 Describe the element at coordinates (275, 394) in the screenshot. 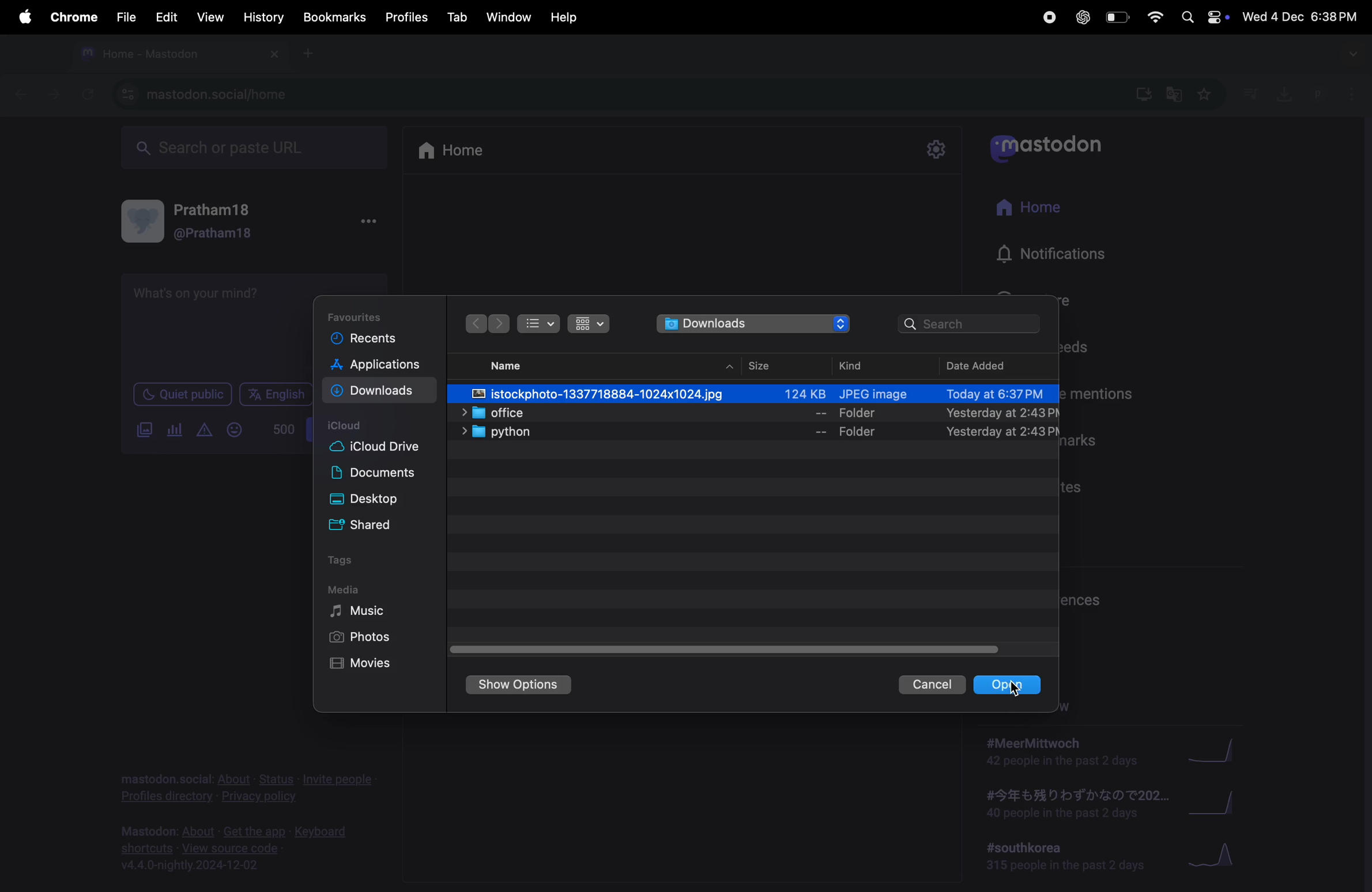

I see `English` at that location.